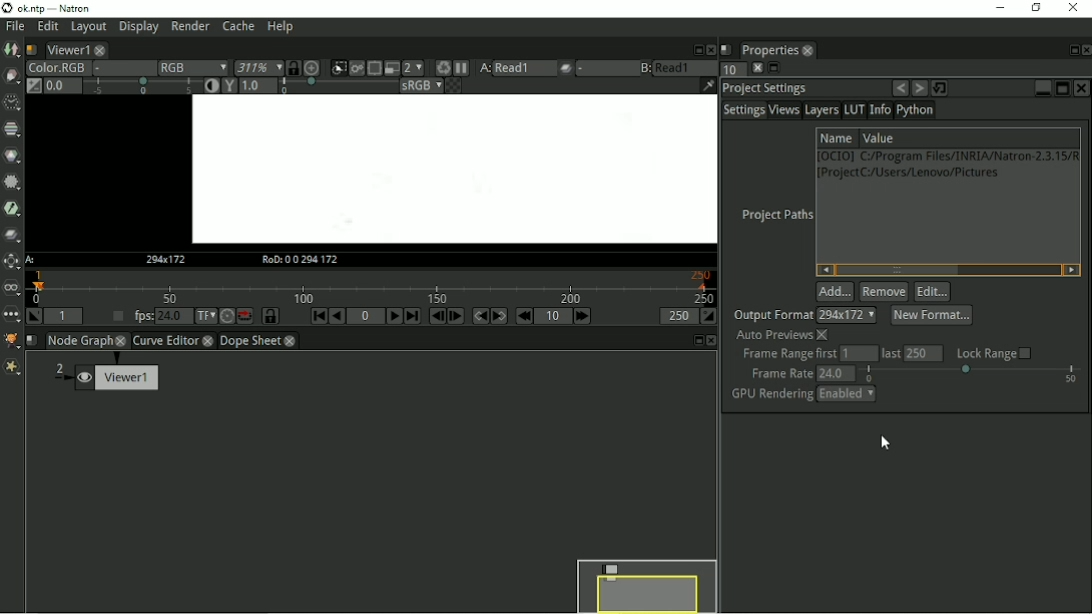 This screenshot has width=1092, height=614. Describe the element at coordinates (453, 86) in the screenshot. I see `Checkerboard` at that location.